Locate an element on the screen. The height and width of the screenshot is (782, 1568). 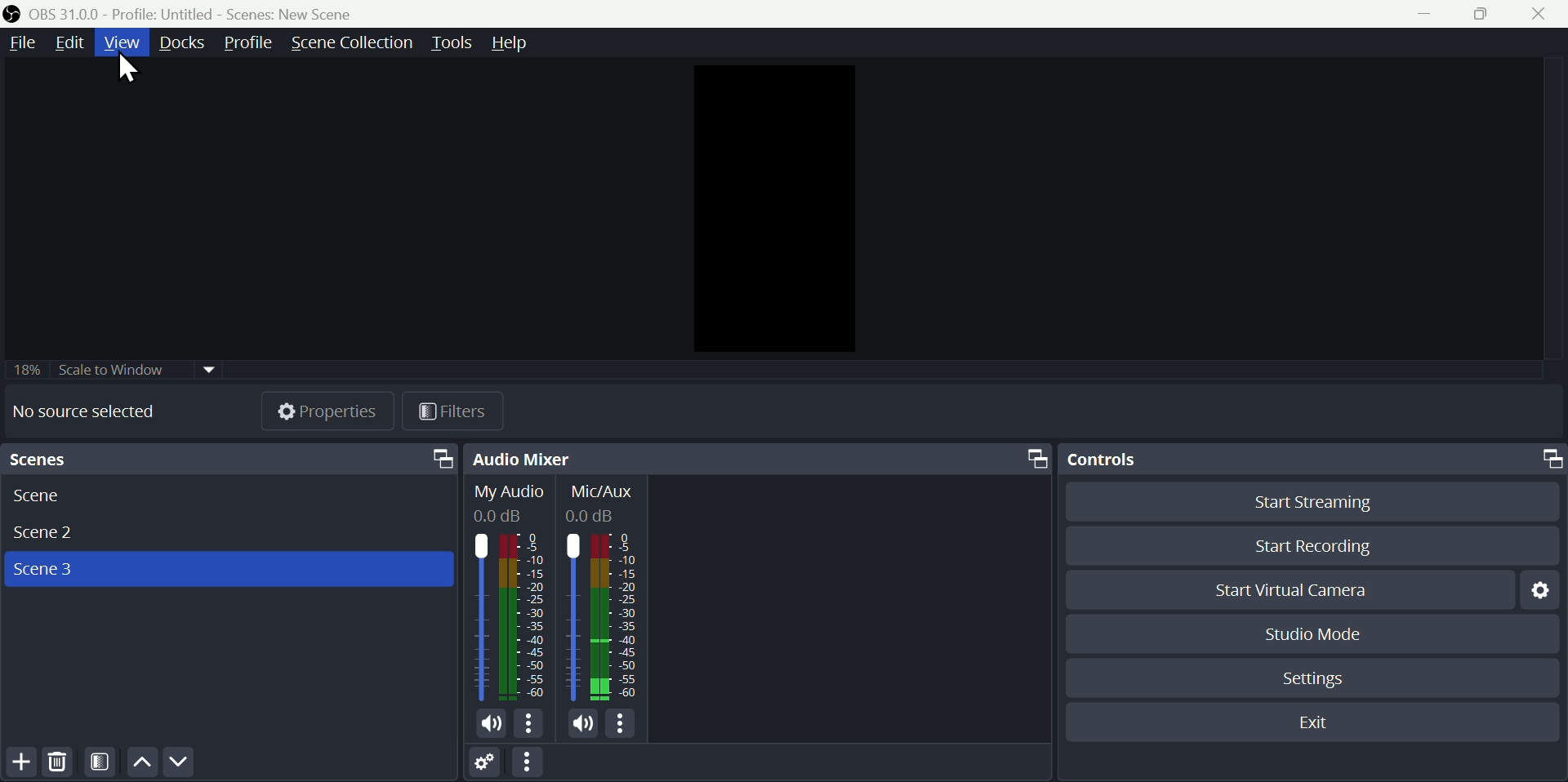
Tools is located at coordinates (452, 42).